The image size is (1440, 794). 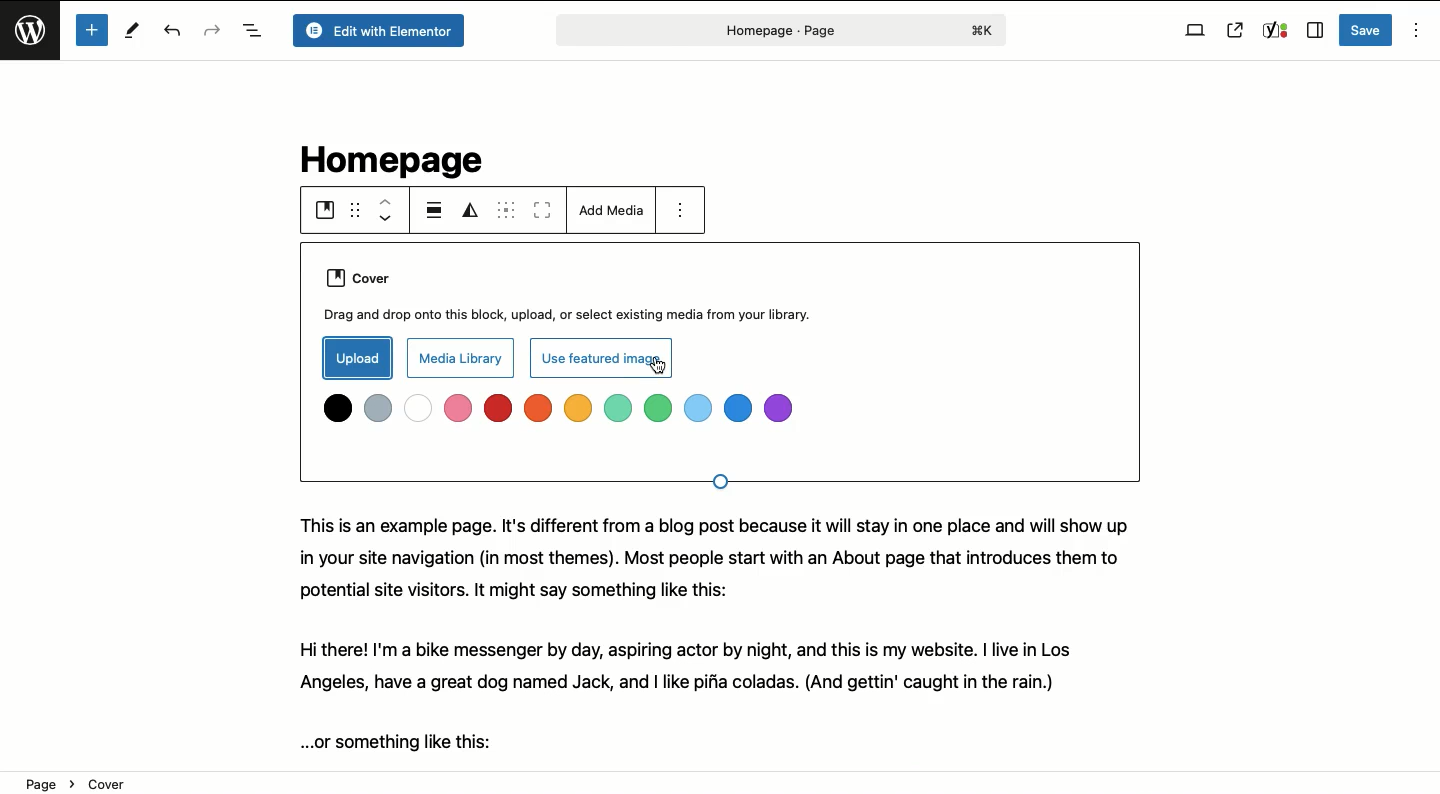 What do you see at coordinates (778, 30) in the screenshot?
I see `Page` at bounding box center [778, 30].